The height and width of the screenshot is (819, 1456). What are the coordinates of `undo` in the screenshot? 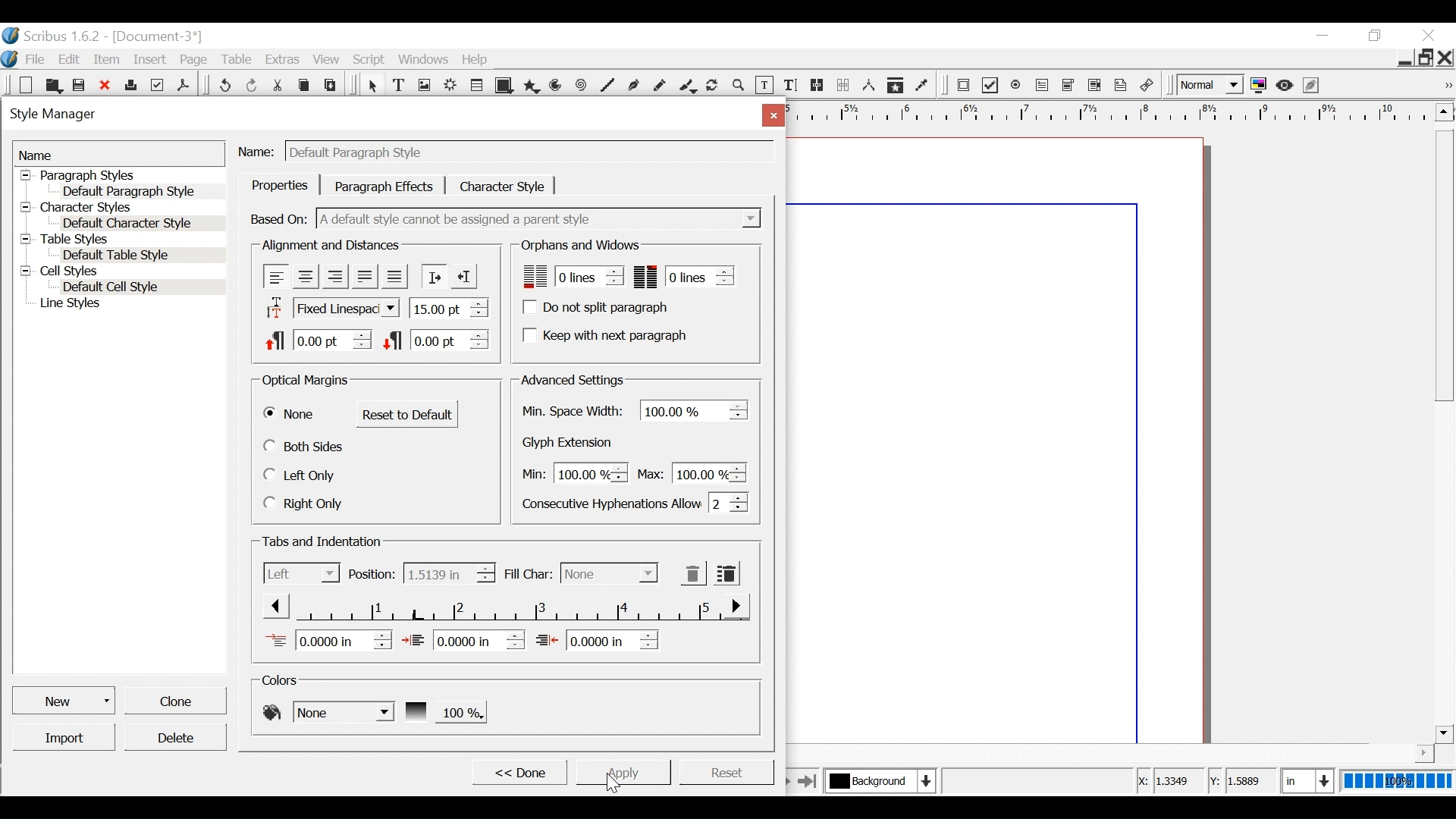 It's located at (224, 83).